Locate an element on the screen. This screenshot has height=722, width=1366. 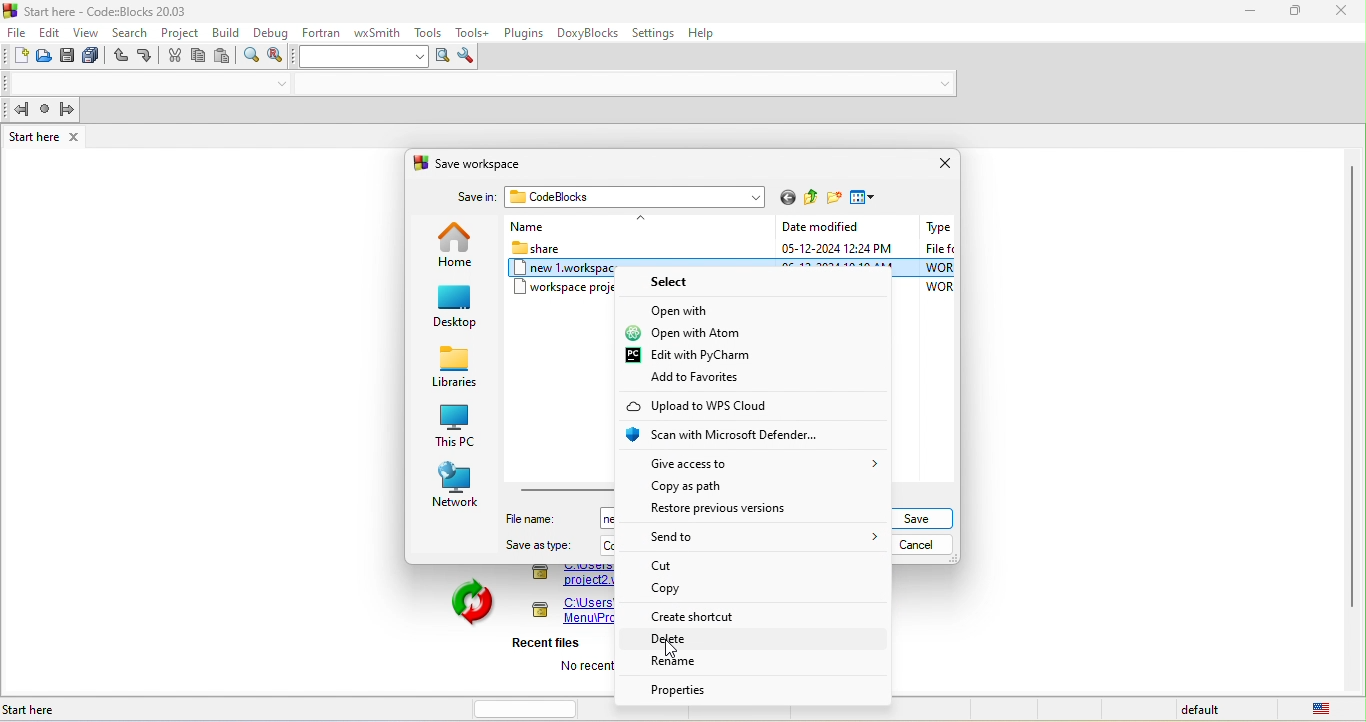
replace is located at coordinates (280, 56).